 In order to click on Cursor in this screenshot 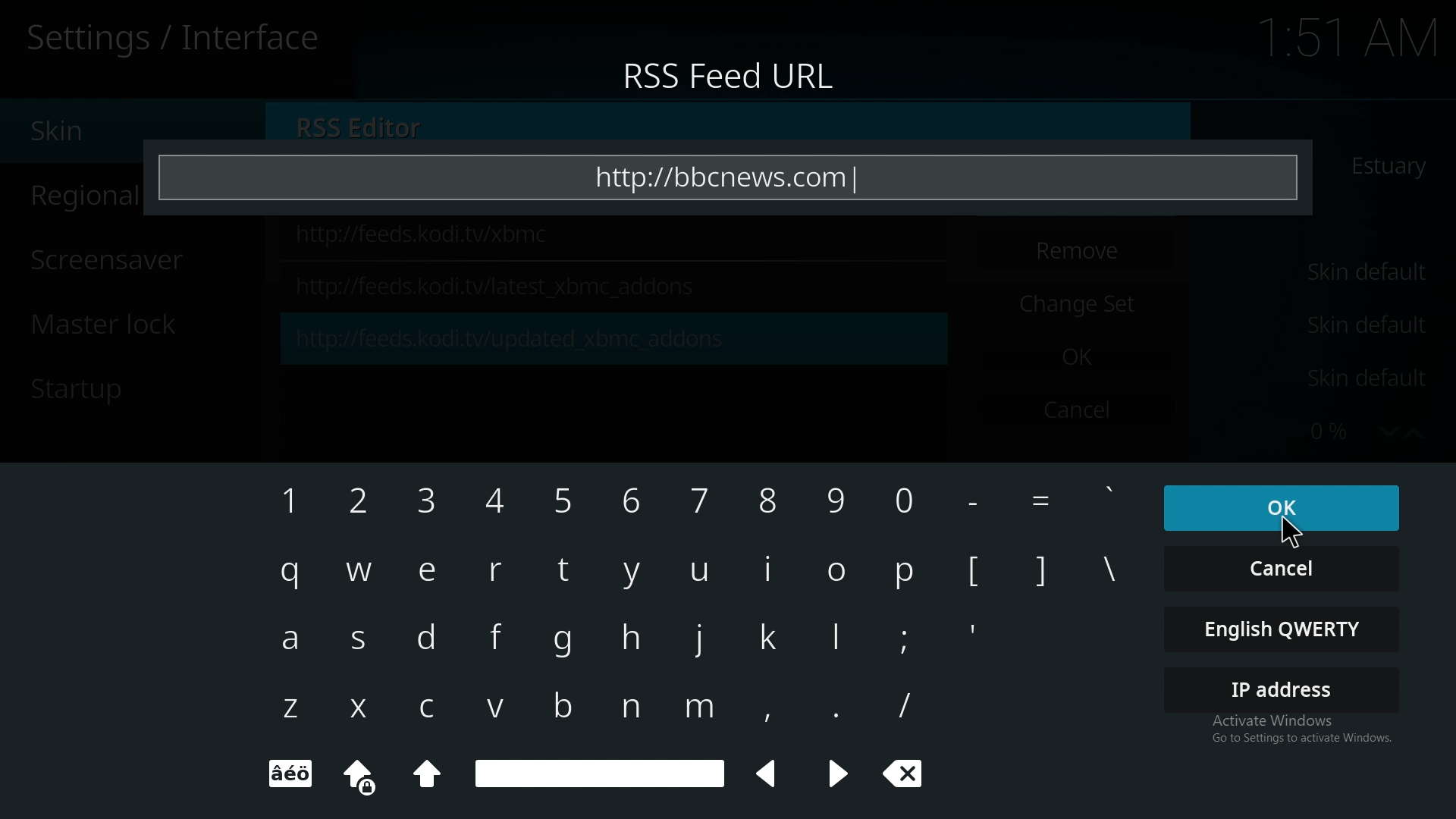, I will do `click(1294, 526)`.